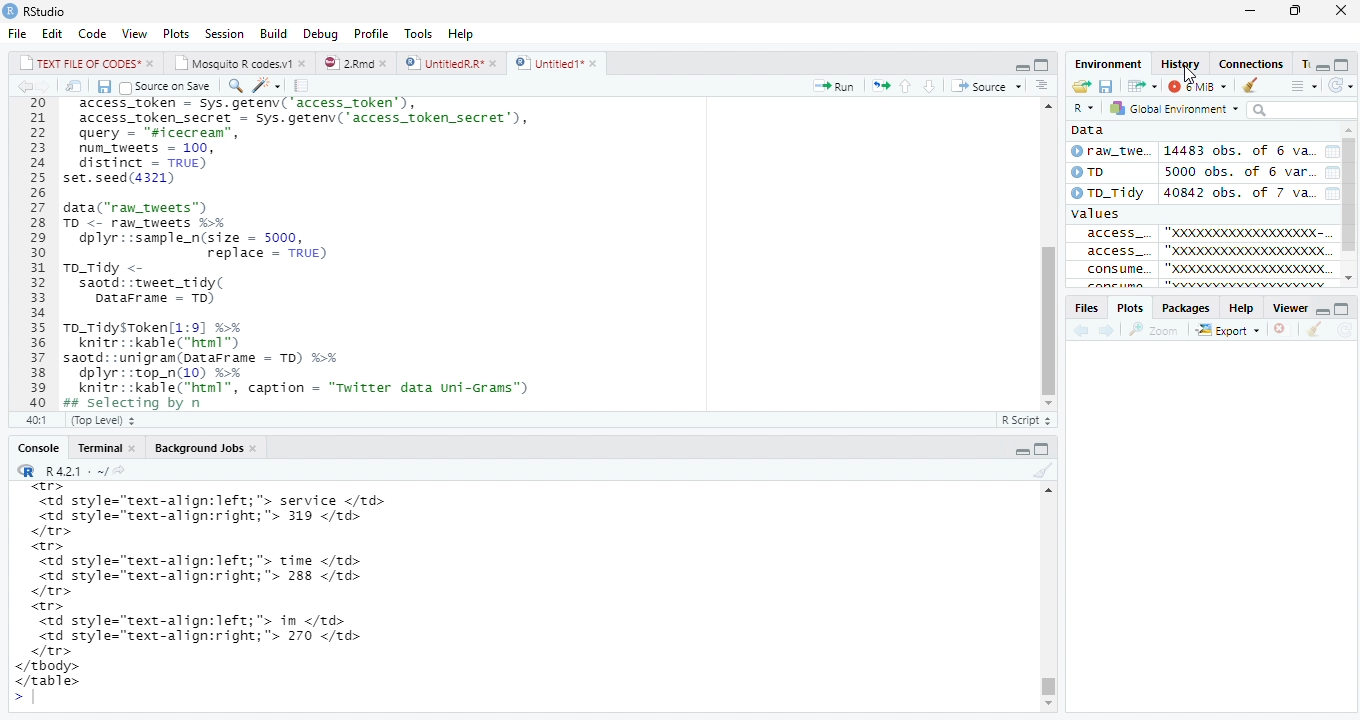 This screenshot has height=720, width=1360. I want to click on | Mosauito R codes.y!, so click(239, 62).